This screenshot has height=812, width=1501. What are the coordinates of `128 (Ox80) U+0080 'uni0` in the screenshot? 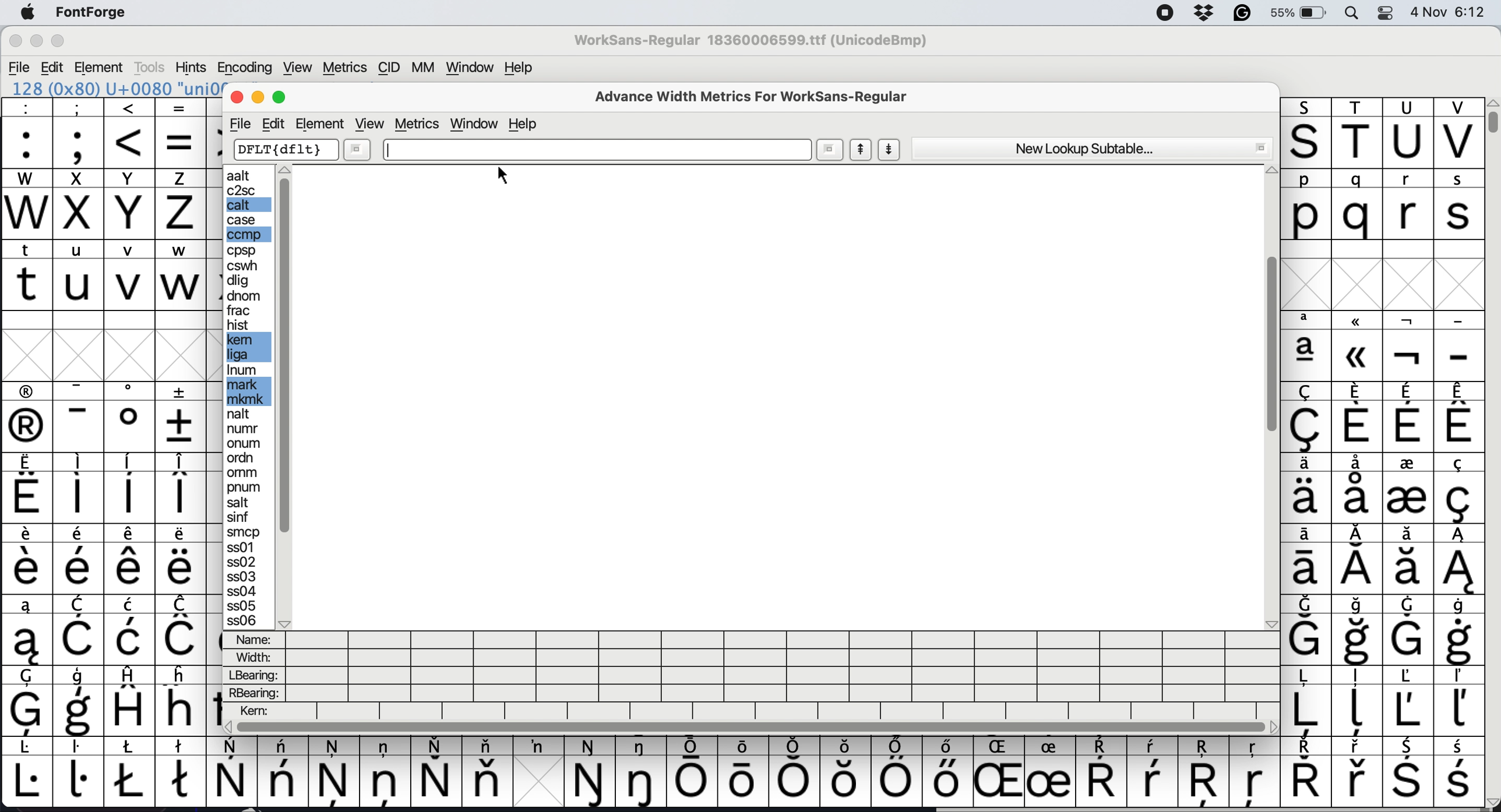 It's located at (115, 89).